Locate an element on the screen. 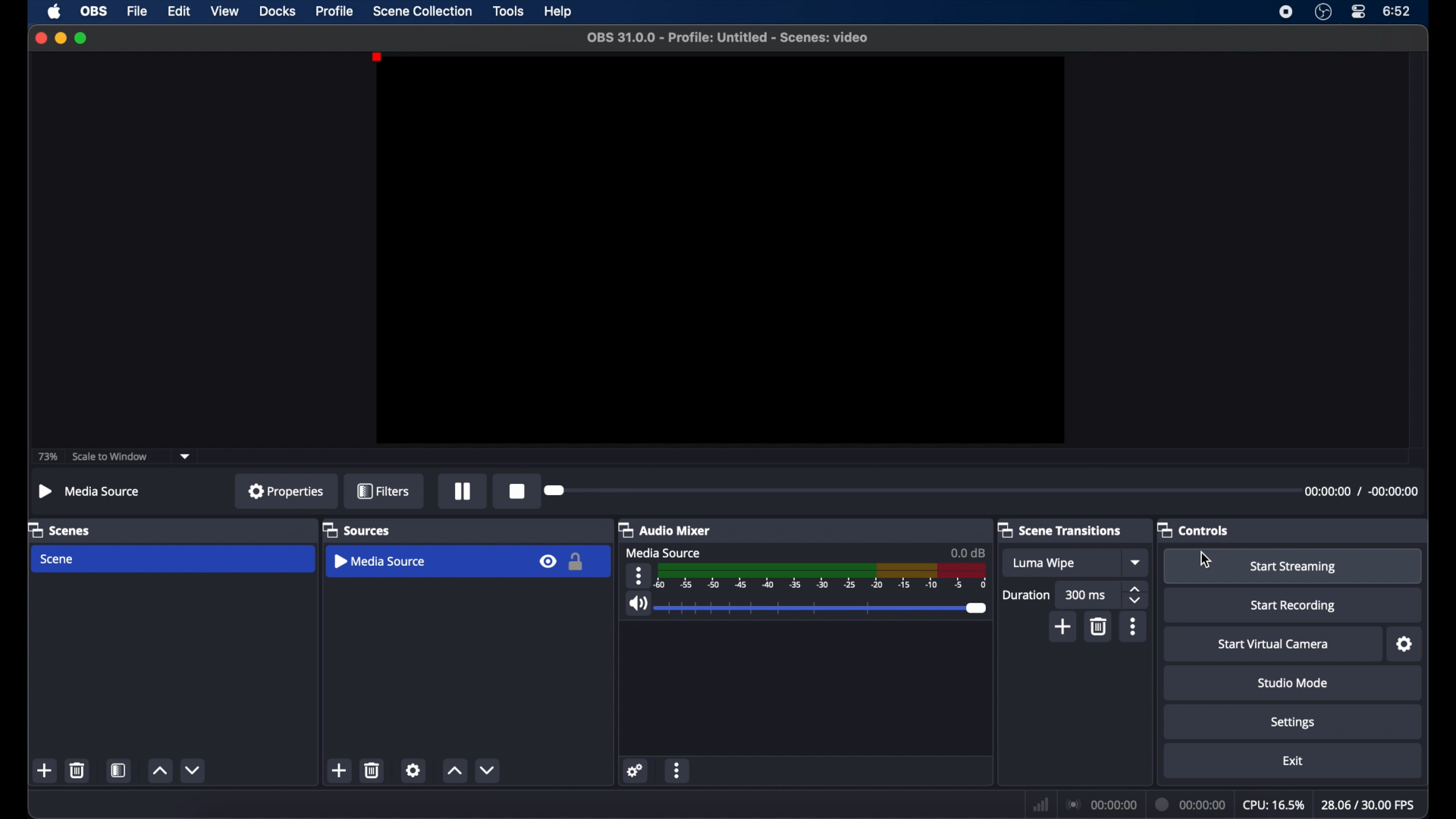  fps is located at coordinates (1368, 805).